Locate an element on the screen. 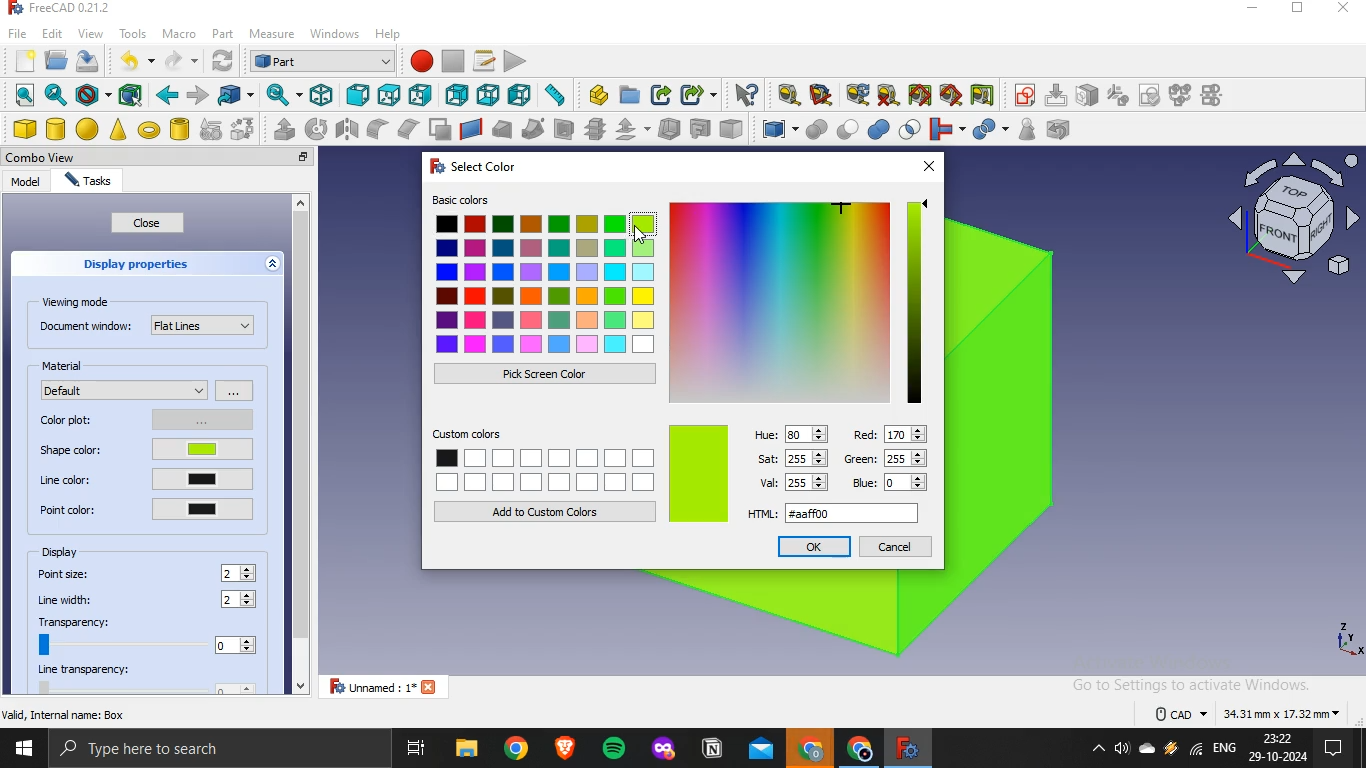 The image size is (1366, 768). fillet is located at coordinates (379, 129).